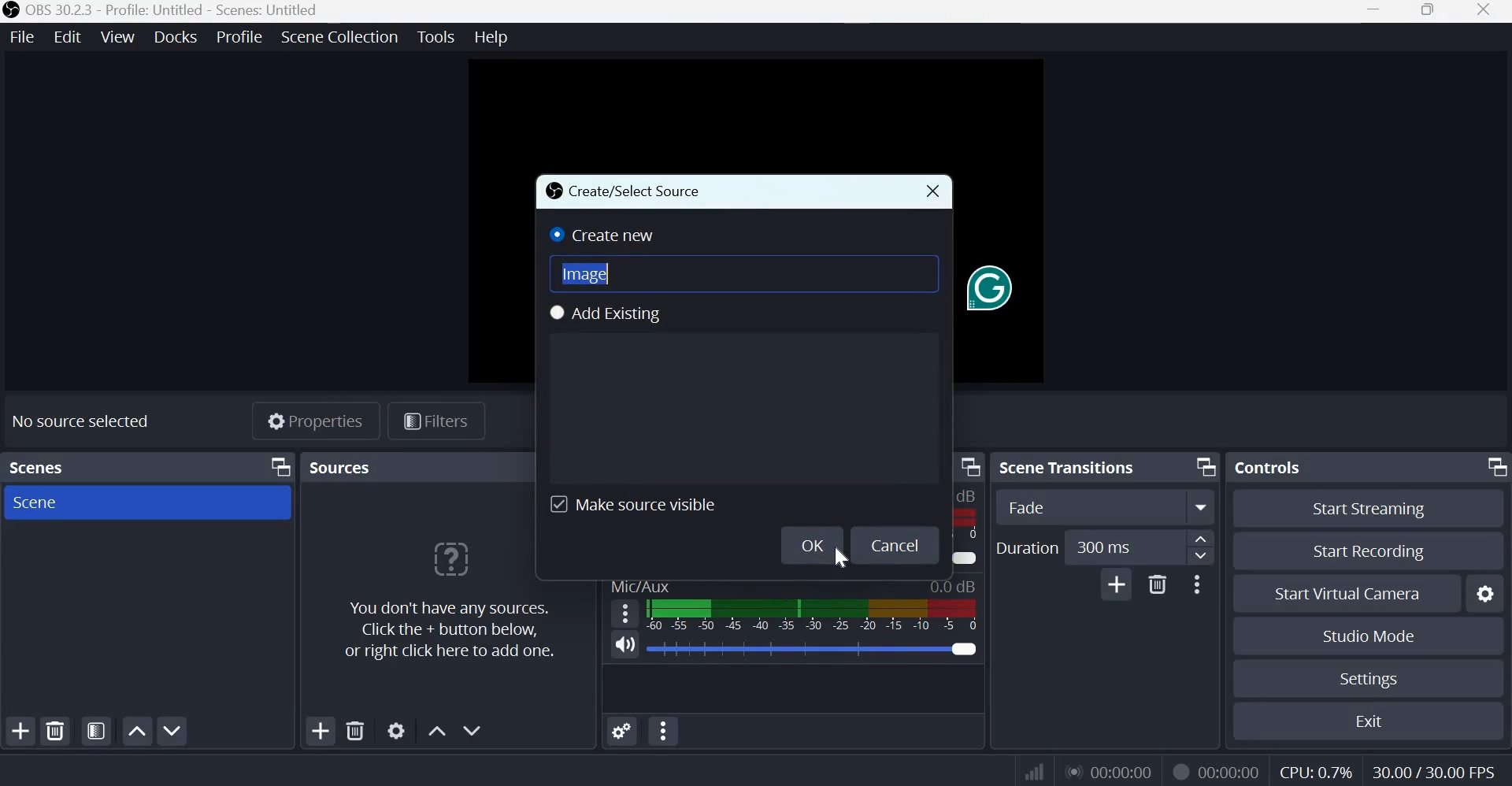 The image size is (1512, 786). What do you see at coordinates (639, 588) in the screenshot?
I see `Mic/Aux` at bounding box center [639, 588].